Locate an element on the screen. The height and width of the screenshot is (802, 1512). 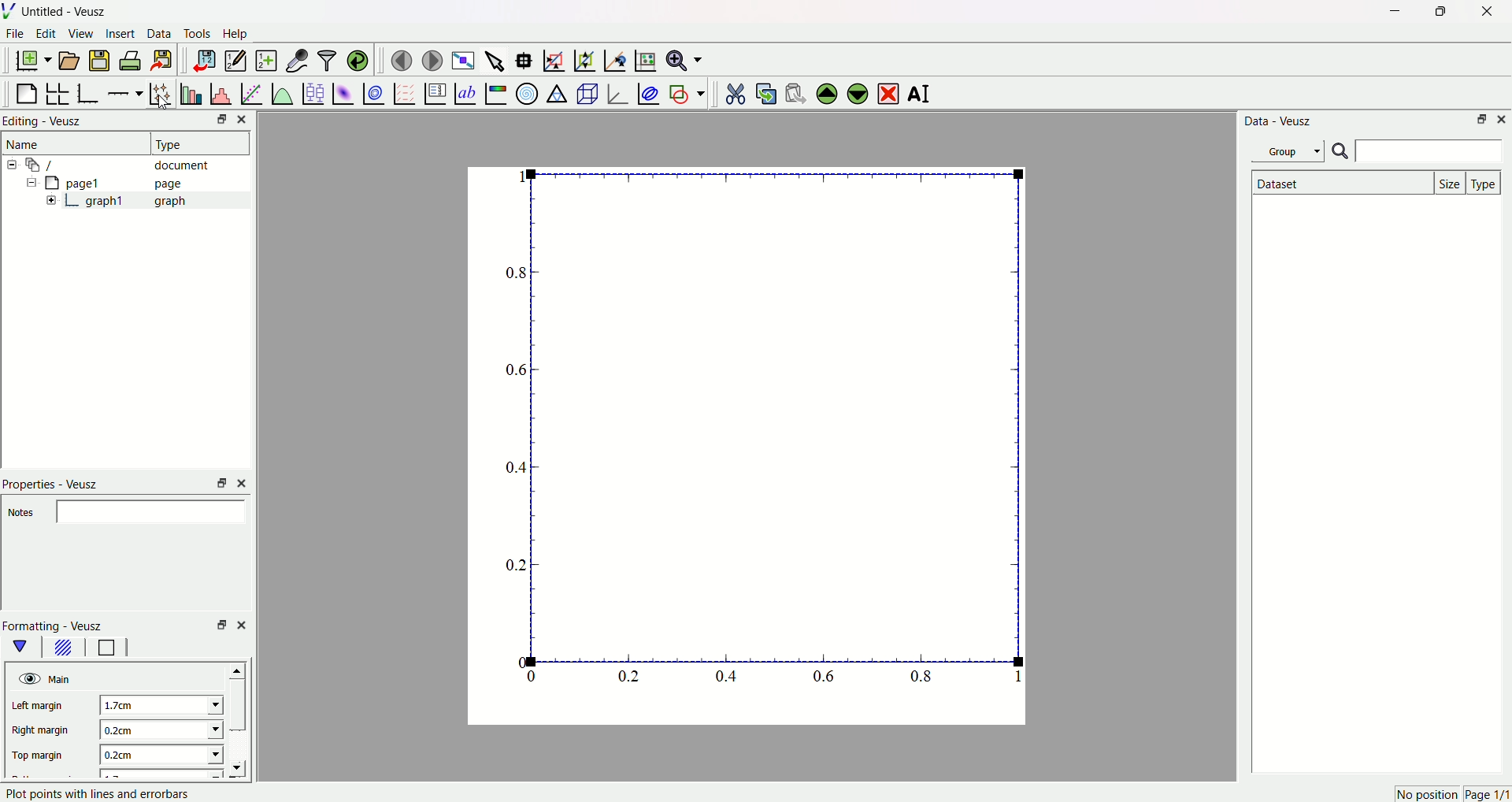
“document is located at coordinates (125, 164).